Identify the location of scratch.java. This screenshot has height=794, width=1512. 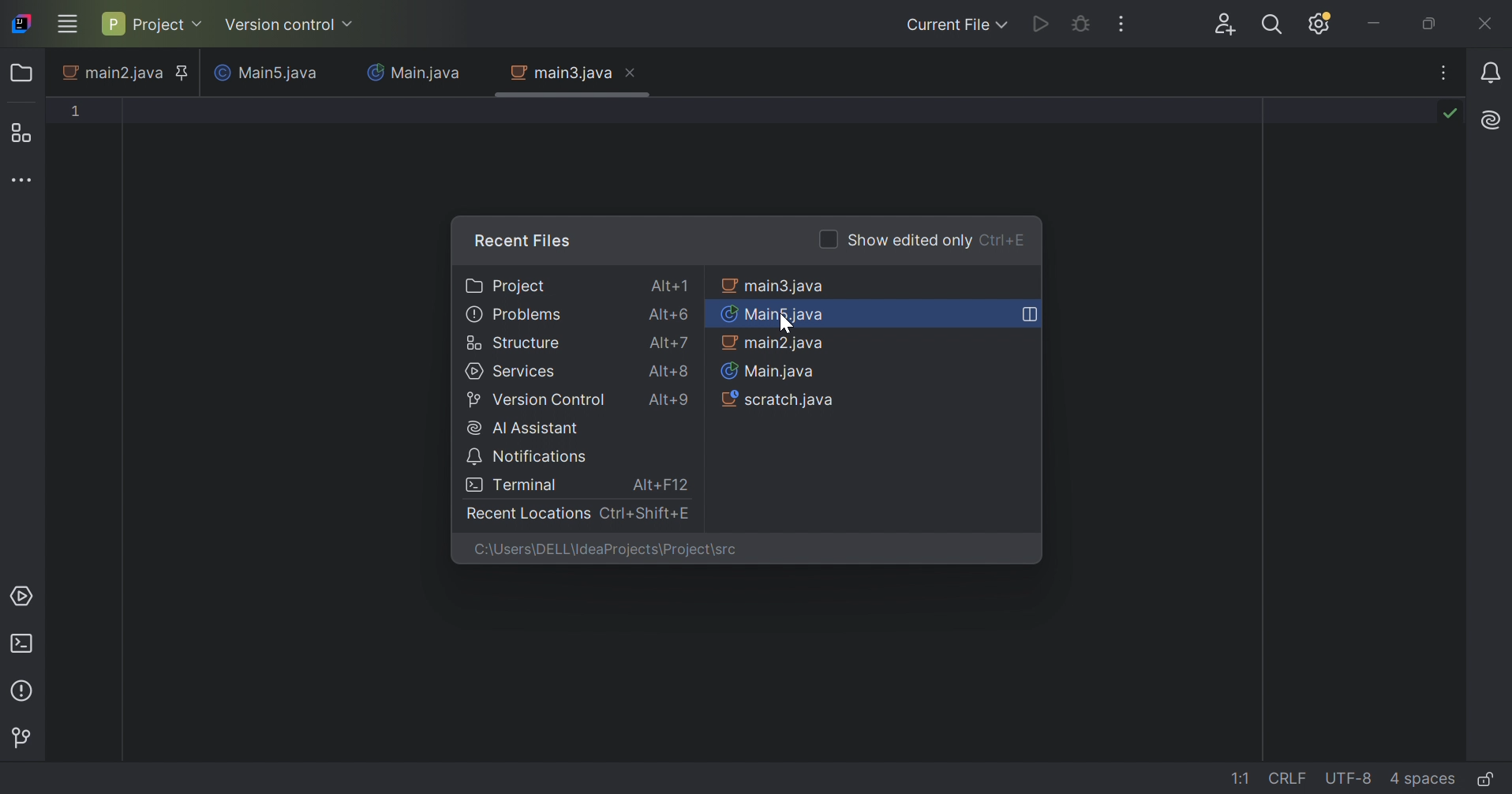
(780, 399).